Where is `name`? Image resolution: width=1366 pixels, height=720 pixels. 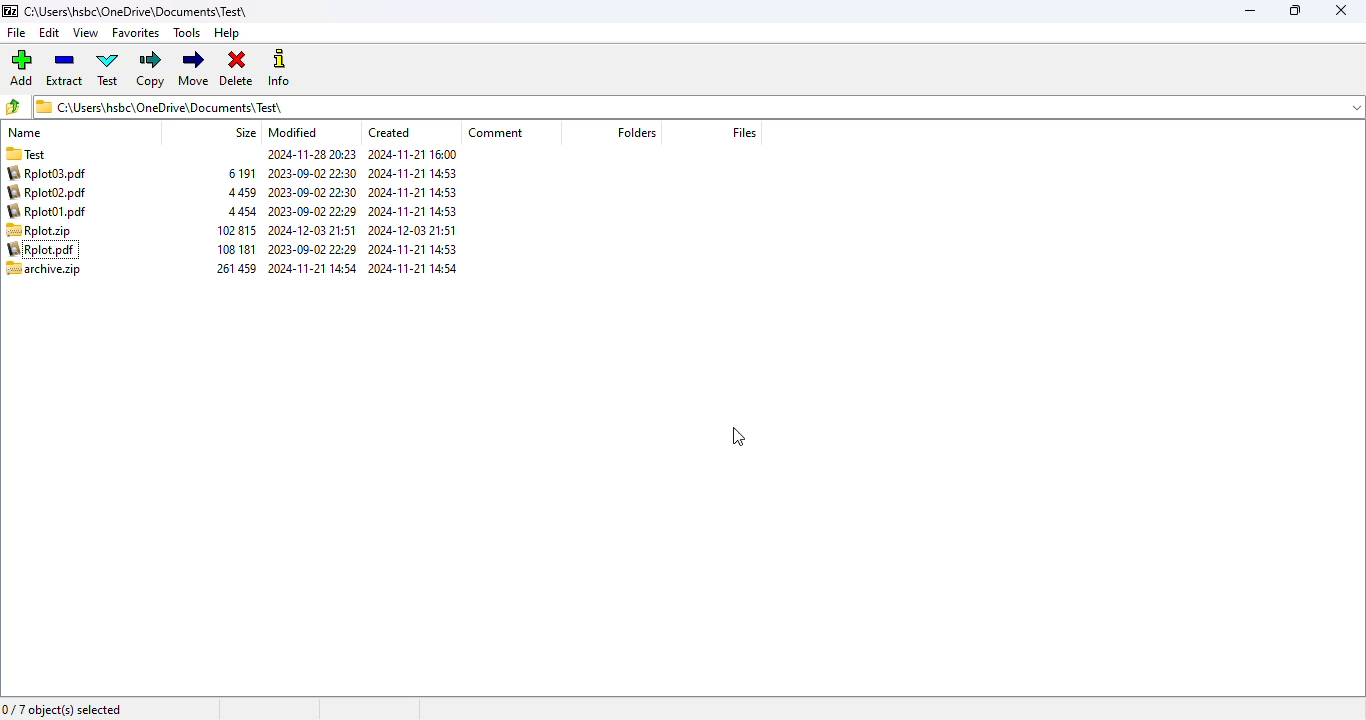
name is located at coordinates (25, 132).